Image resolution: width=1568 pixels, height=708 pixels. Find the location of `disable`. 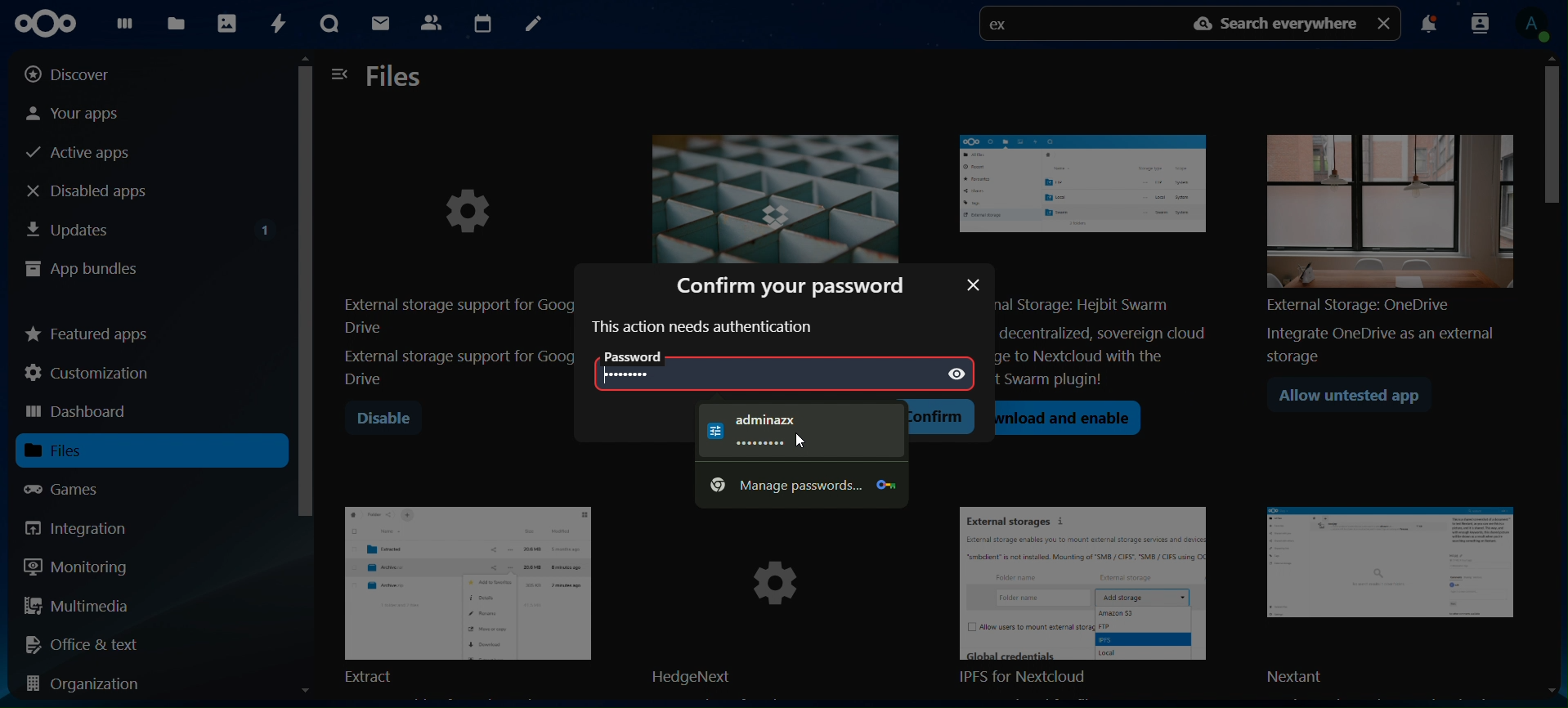

disable is located at coordinates (383, 419).